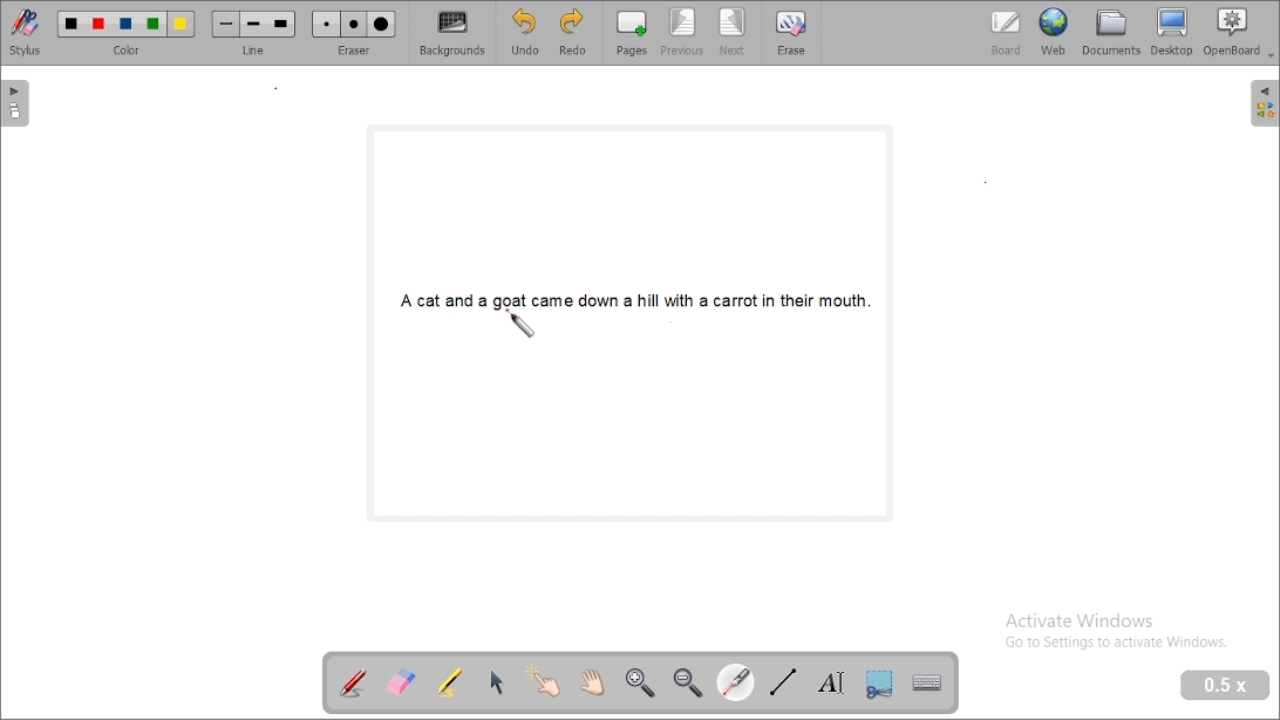  Describe the element at coordinates (682, 33) in the screenshot. I see `previous` at that location.